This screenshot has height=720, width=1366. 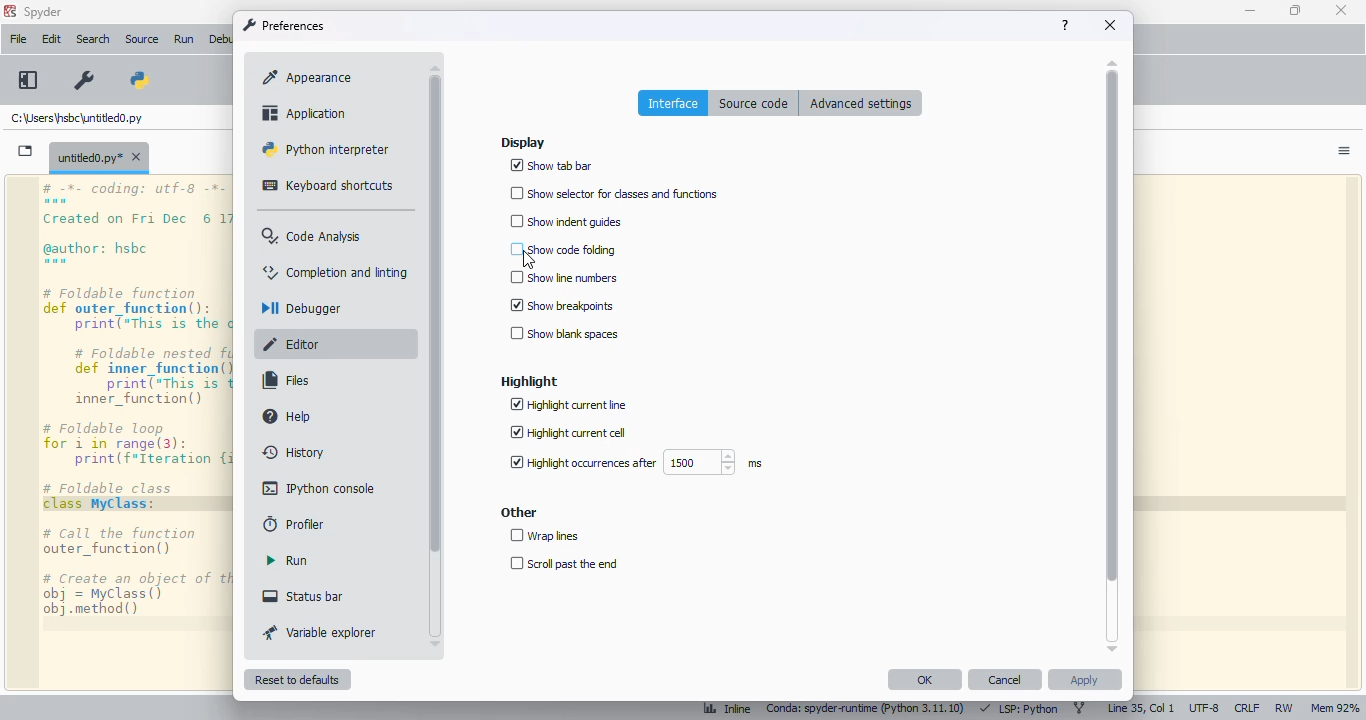 I want to click on spyder, so click(x=44, y=12).